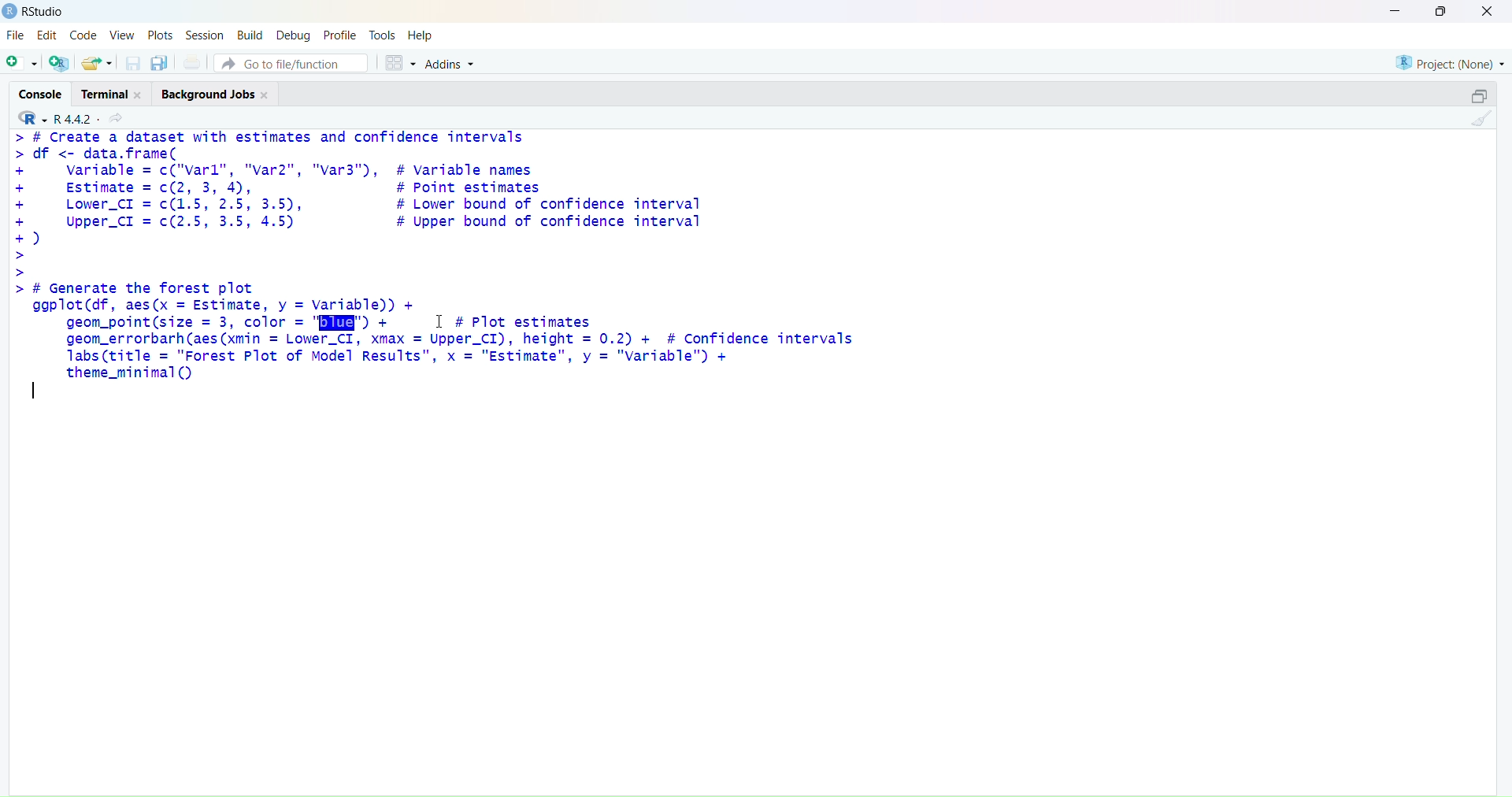  I want to click on save all open document, so click(158, 63).